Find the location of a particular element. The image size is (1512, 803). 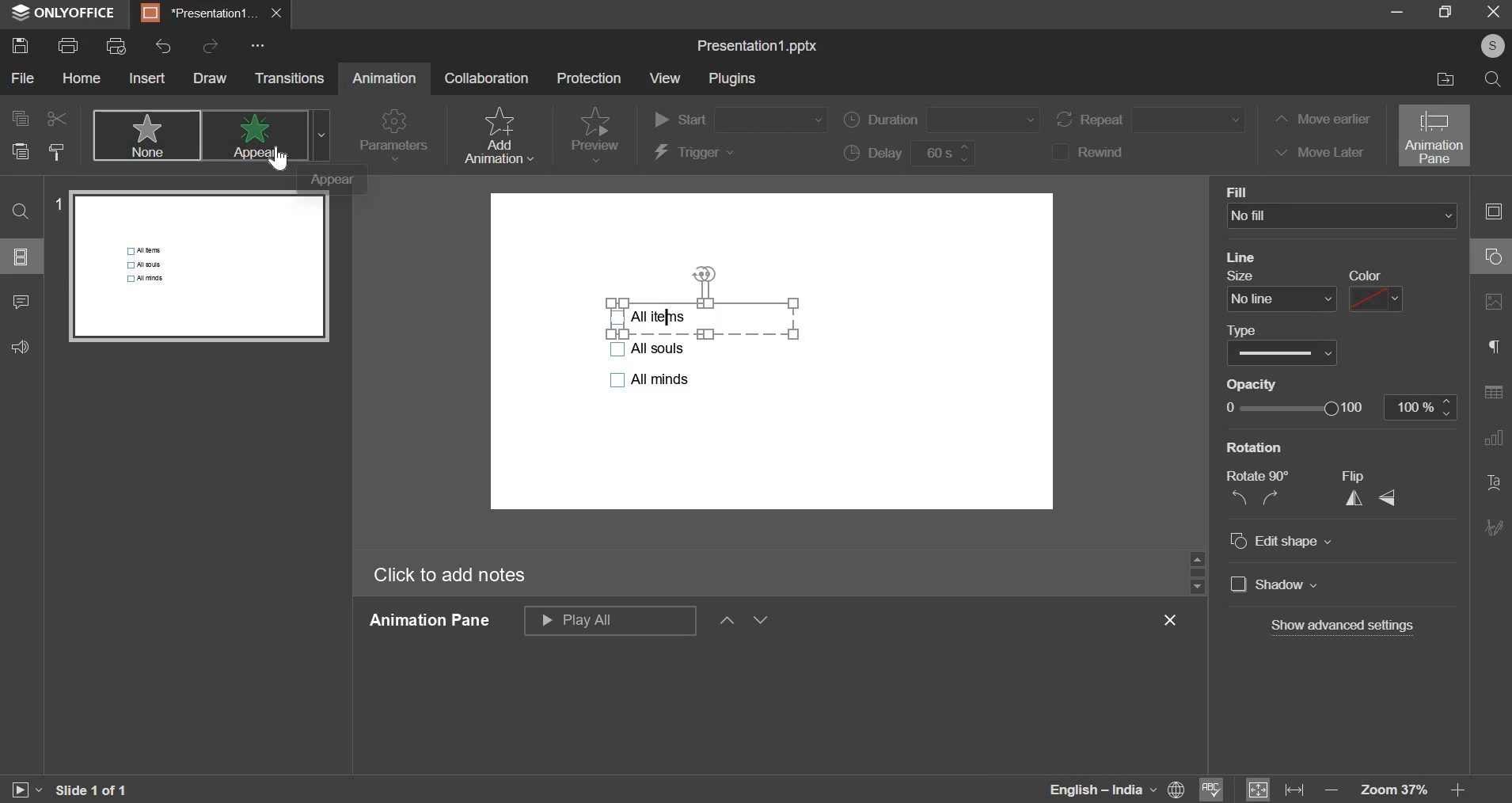

line size is located at coordinates (1282, 299).